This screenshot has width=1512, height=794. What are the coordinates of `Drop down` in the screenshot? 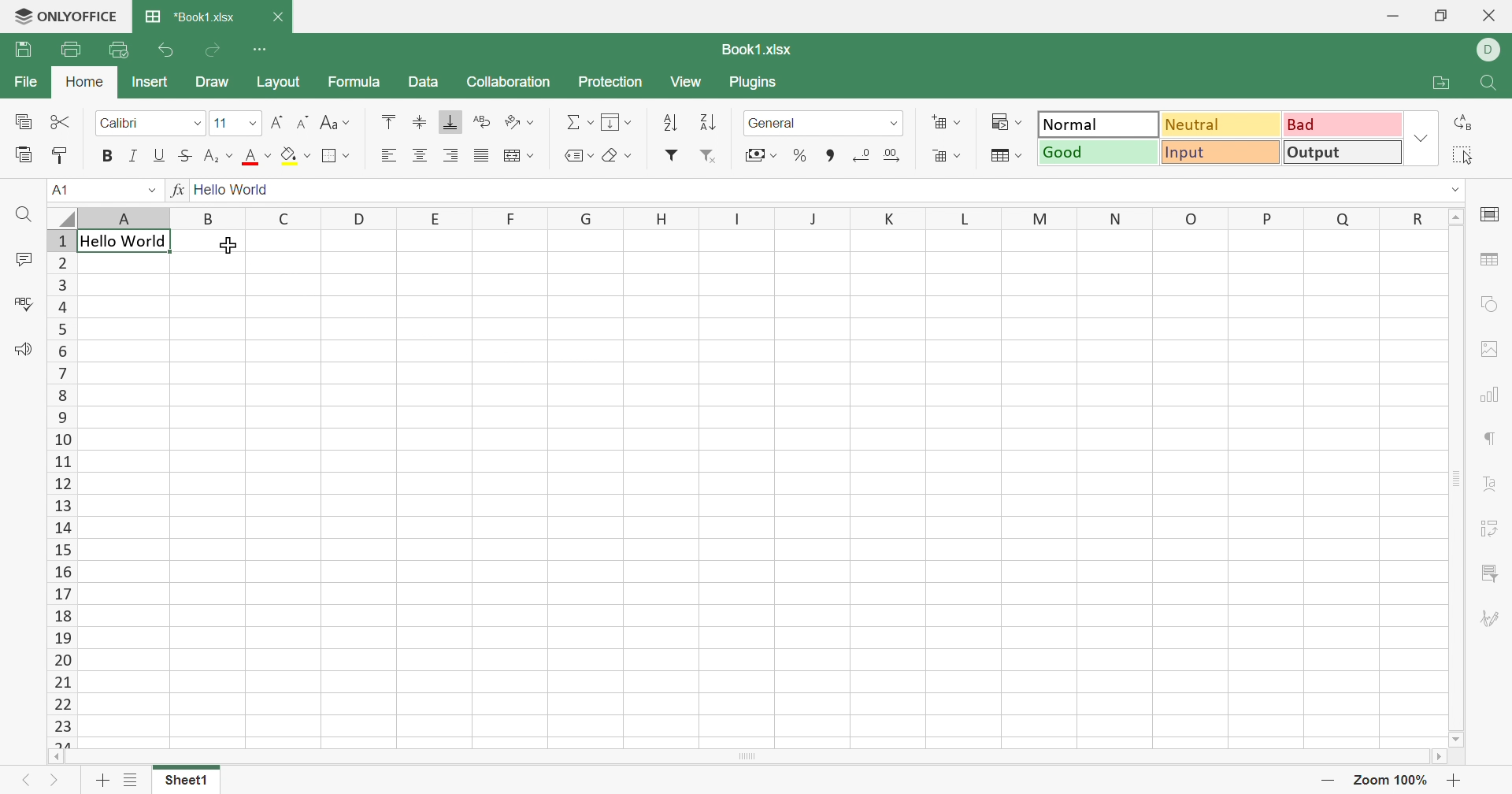 It's located at (1455, 192).